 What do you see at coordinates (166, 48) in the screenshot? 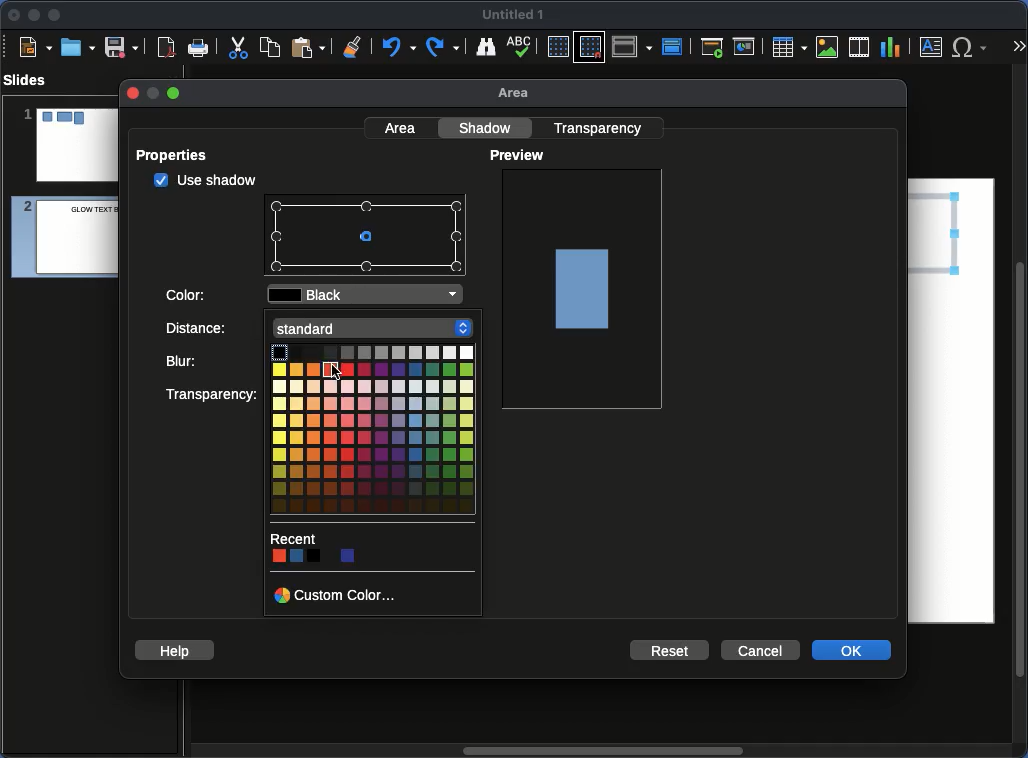
I see `Export as PDF` at bounding box center [166, 48].